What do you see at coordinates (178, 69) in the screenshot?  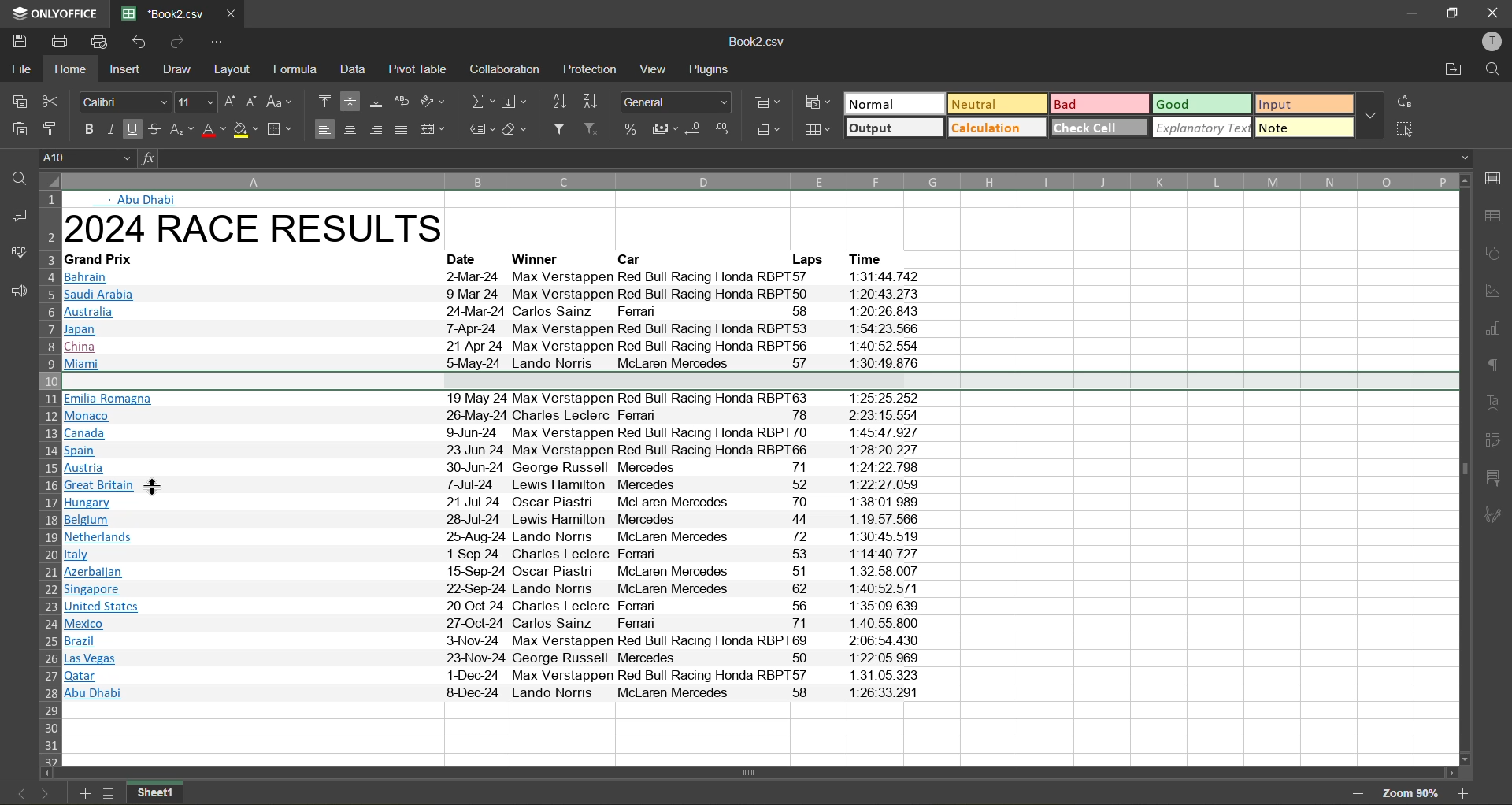 I see `draw` at bounding box center [178, 69].